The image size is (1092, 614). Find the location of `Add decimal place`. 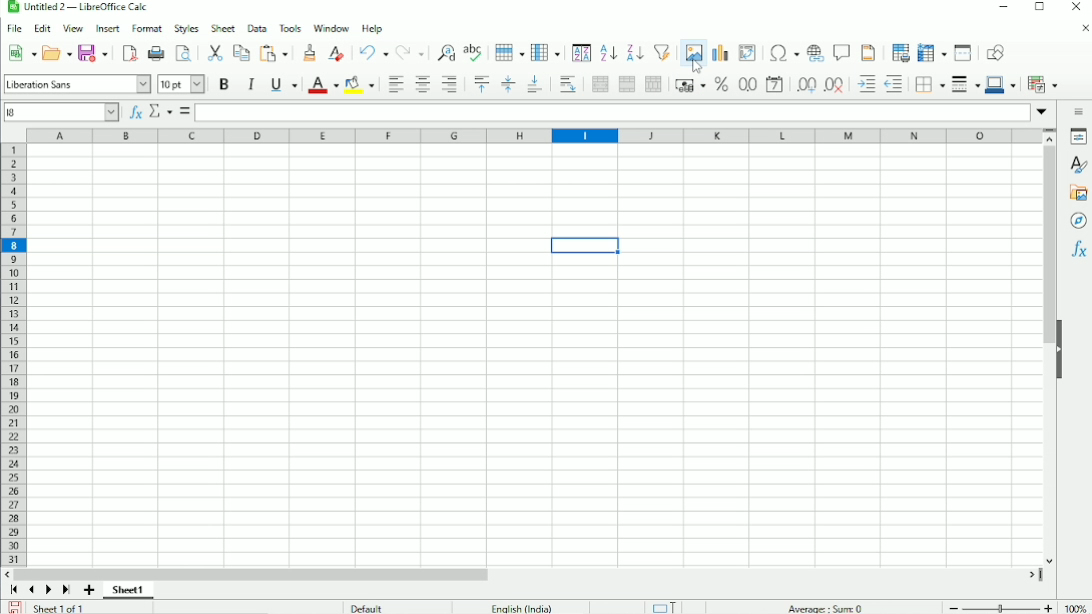

Add decimal place is located at coordinates (804, 85).